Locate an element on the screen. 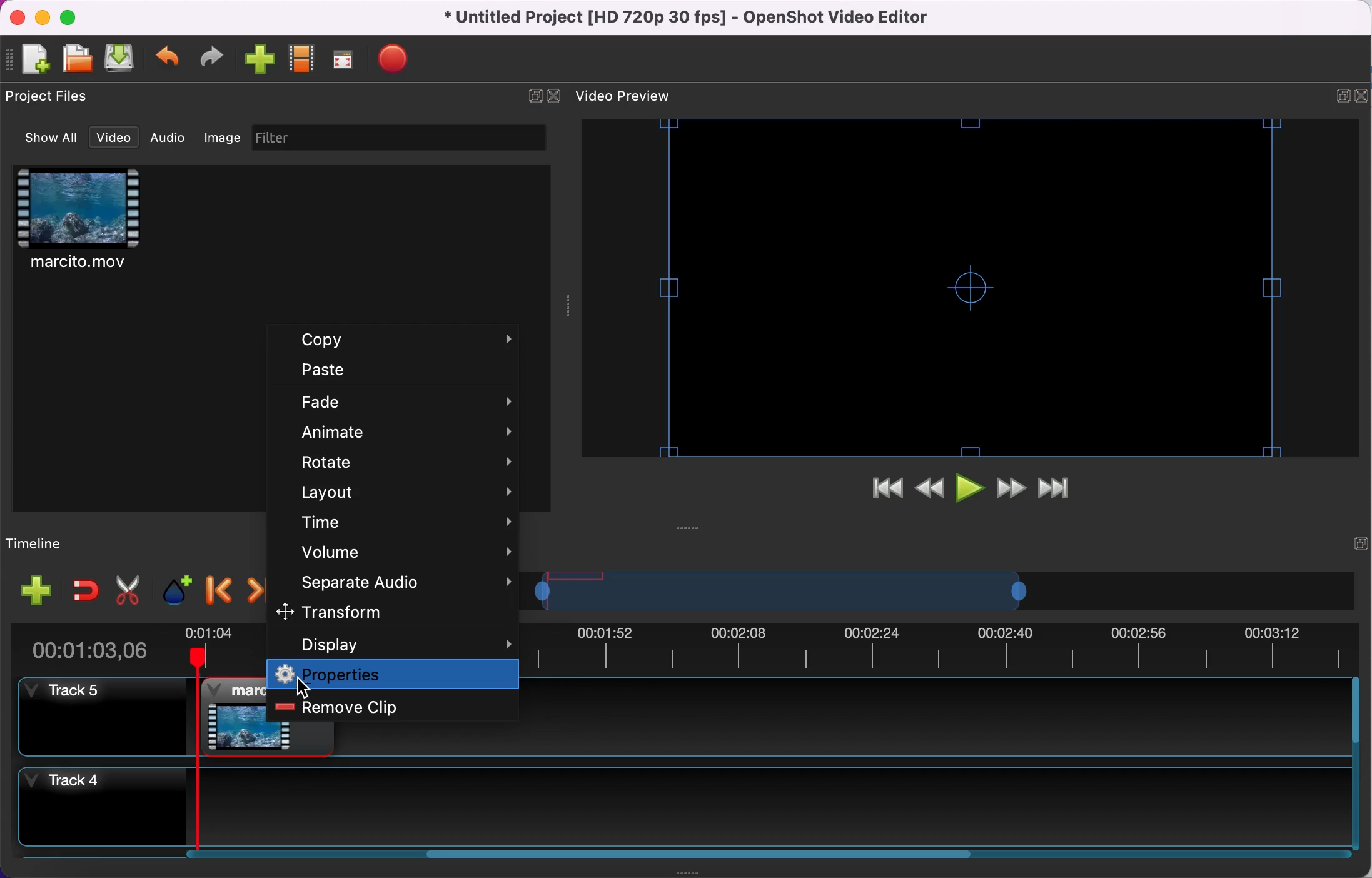  rewind is located at coordinates (929, 492).